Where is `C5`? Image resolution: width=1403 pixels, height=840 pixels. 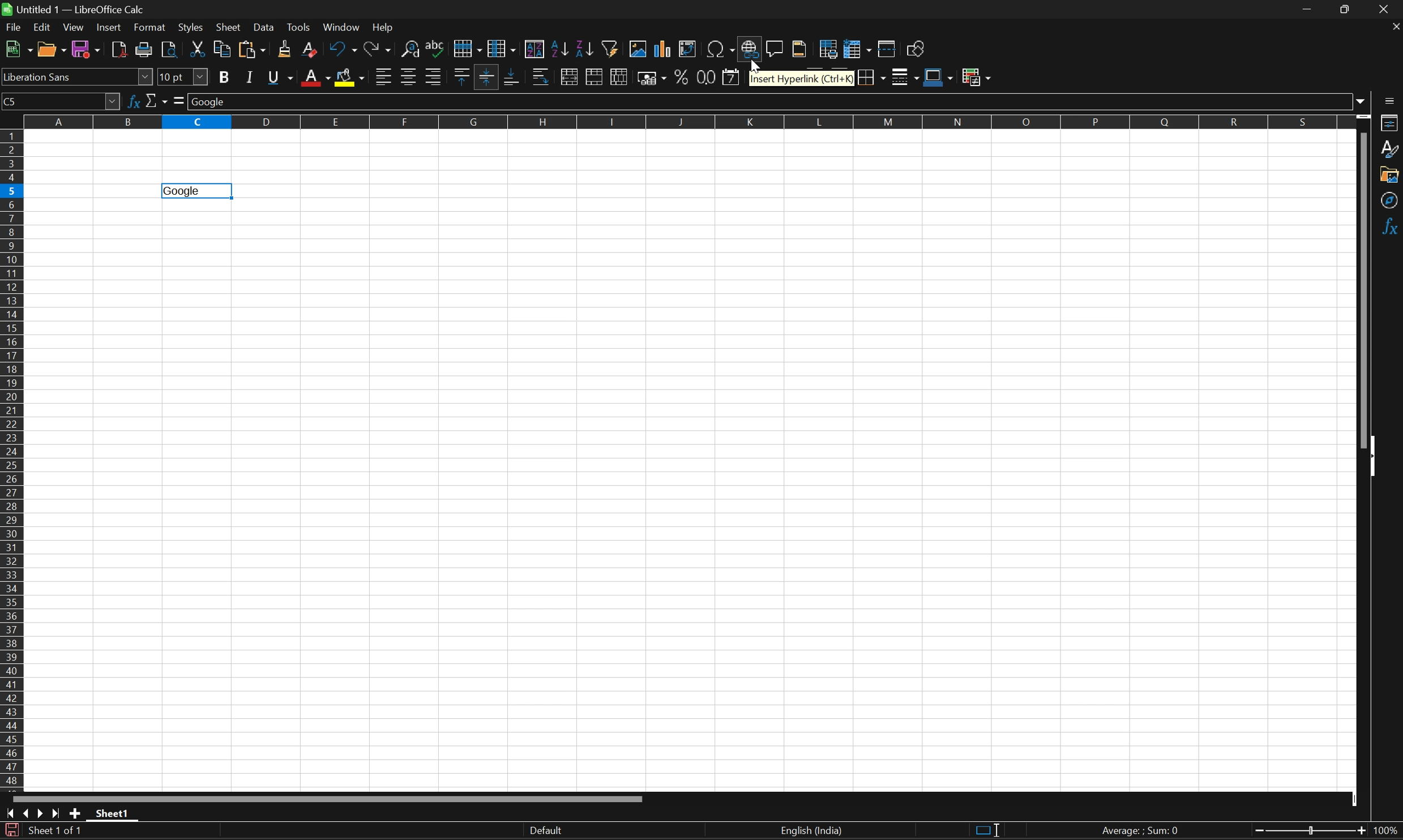 C5 is located at coordinates (61, 101).